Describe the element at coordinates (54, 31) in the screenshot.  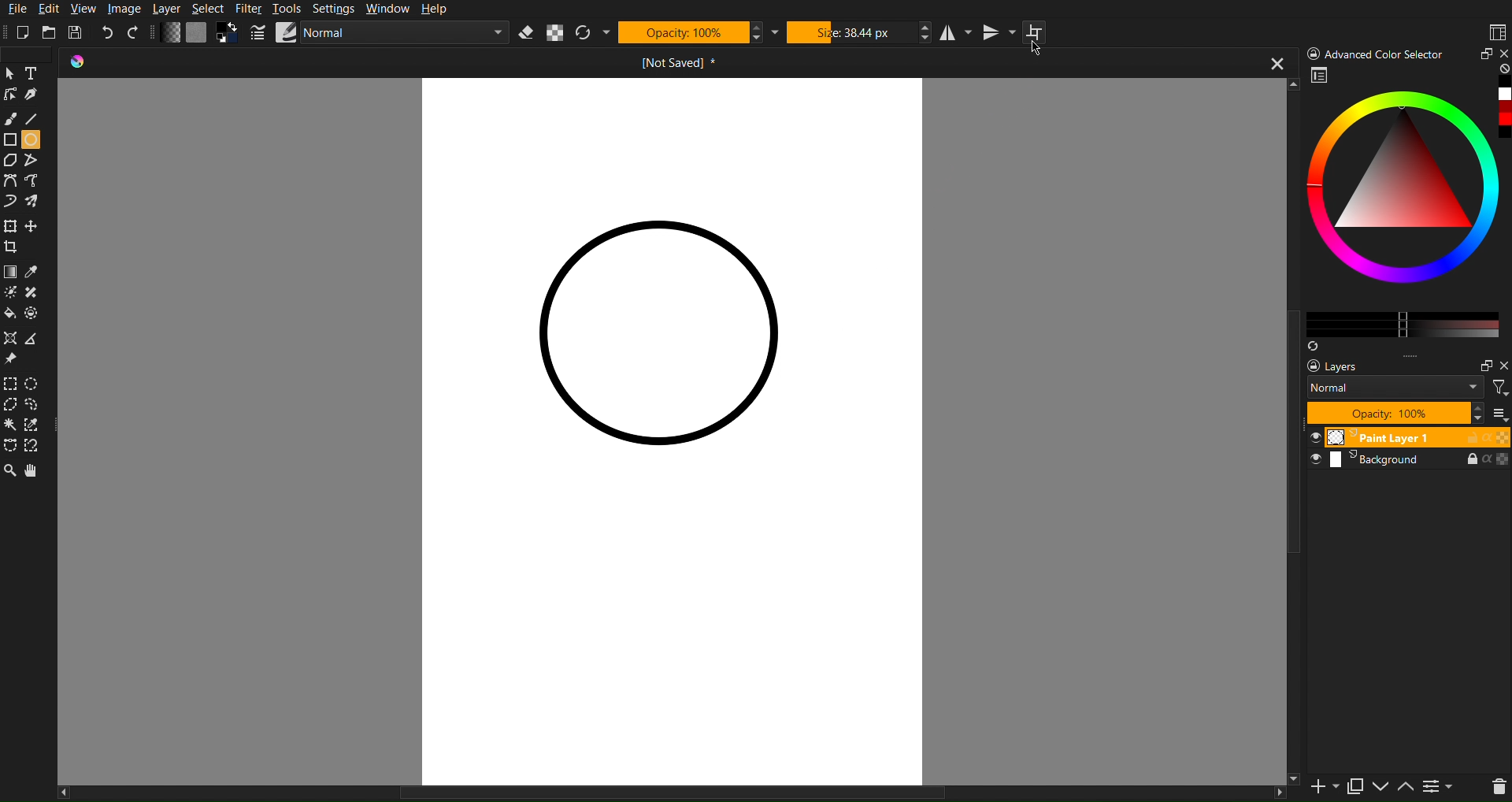
I see `Open` at that location.